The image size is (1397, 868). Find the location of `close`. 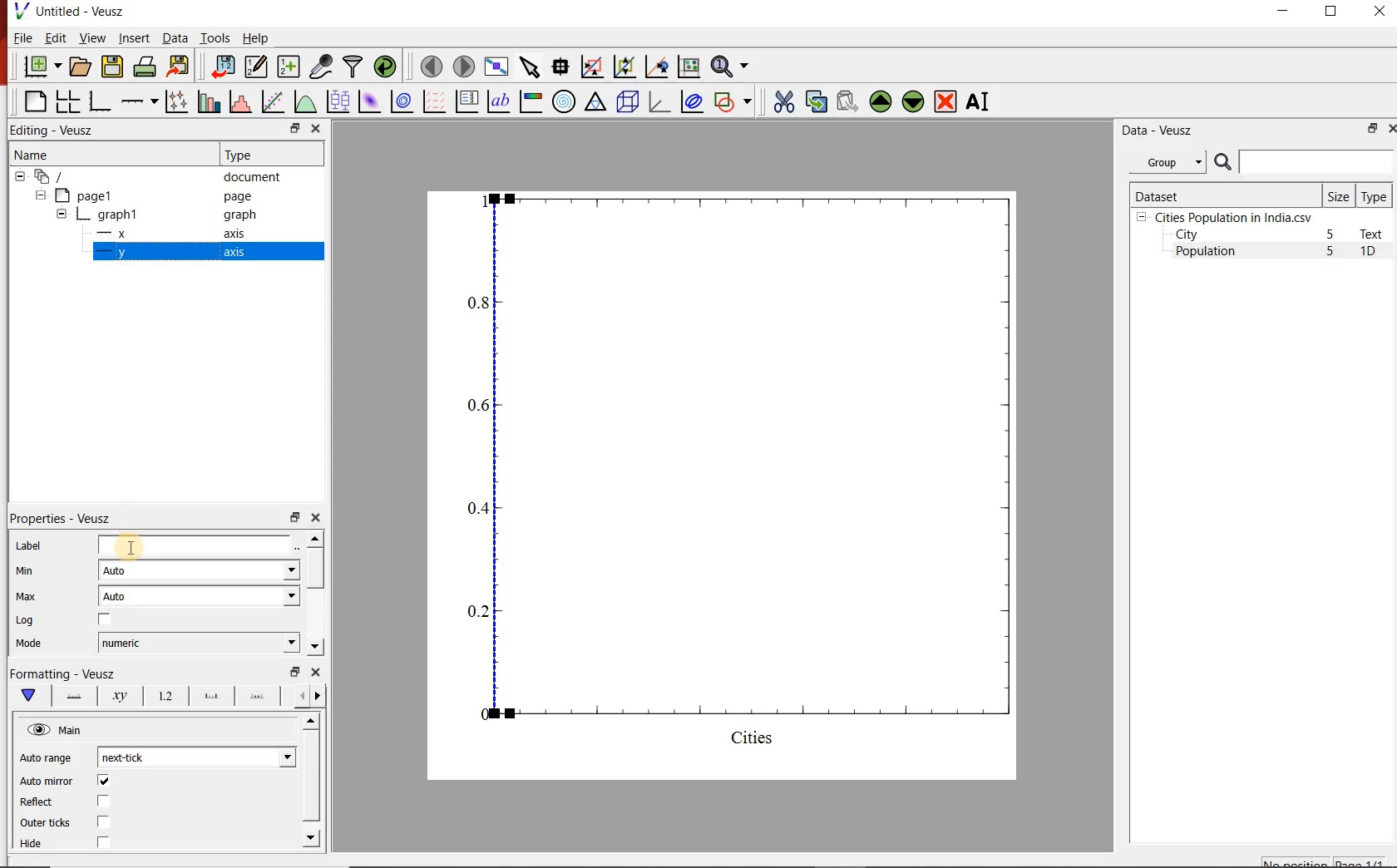

close is located at coordinates (315, 518).